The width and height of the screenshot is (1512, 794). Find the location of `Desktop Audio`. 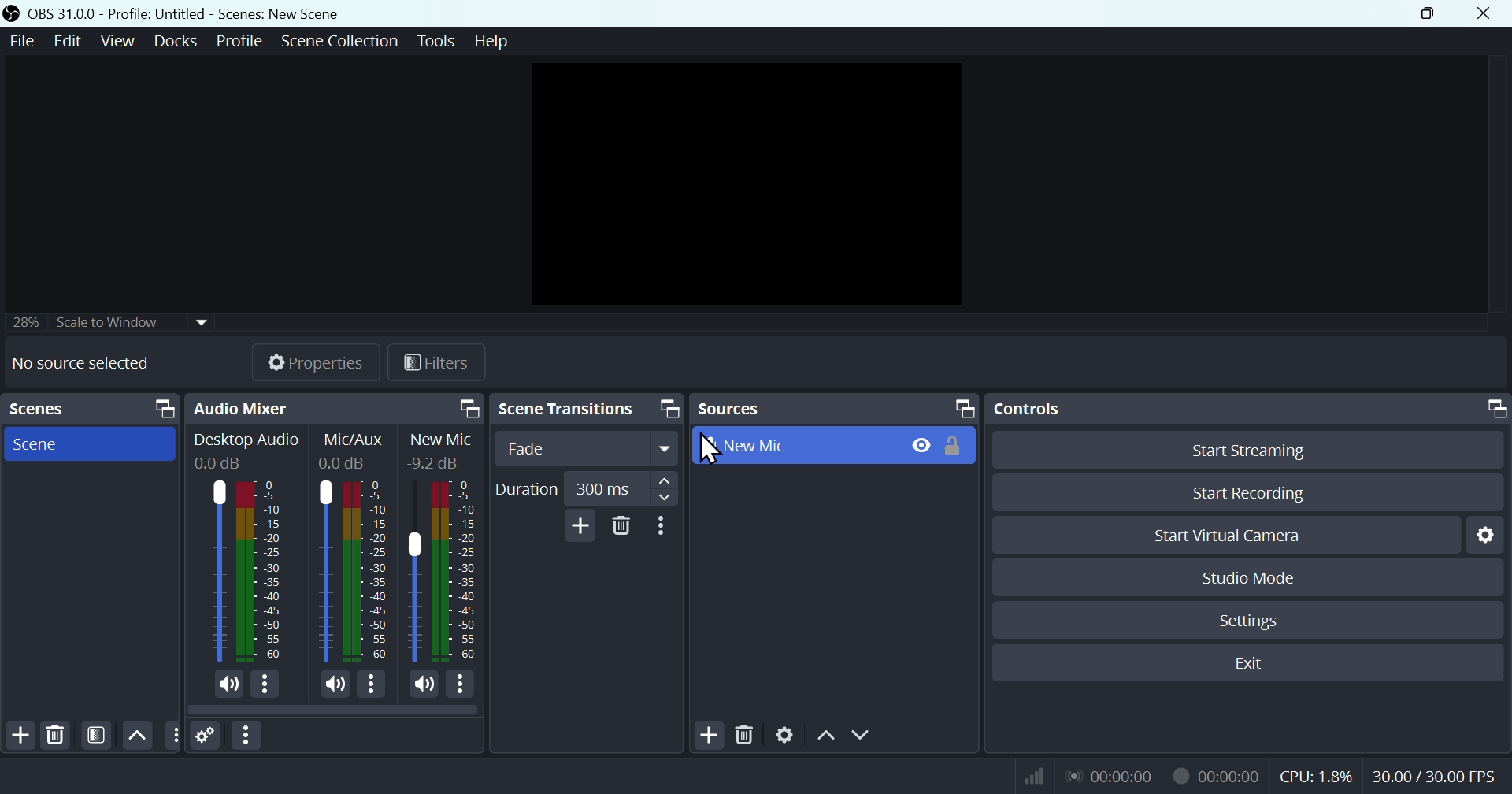

Desktop Audio is located at coordinates (248, 440).